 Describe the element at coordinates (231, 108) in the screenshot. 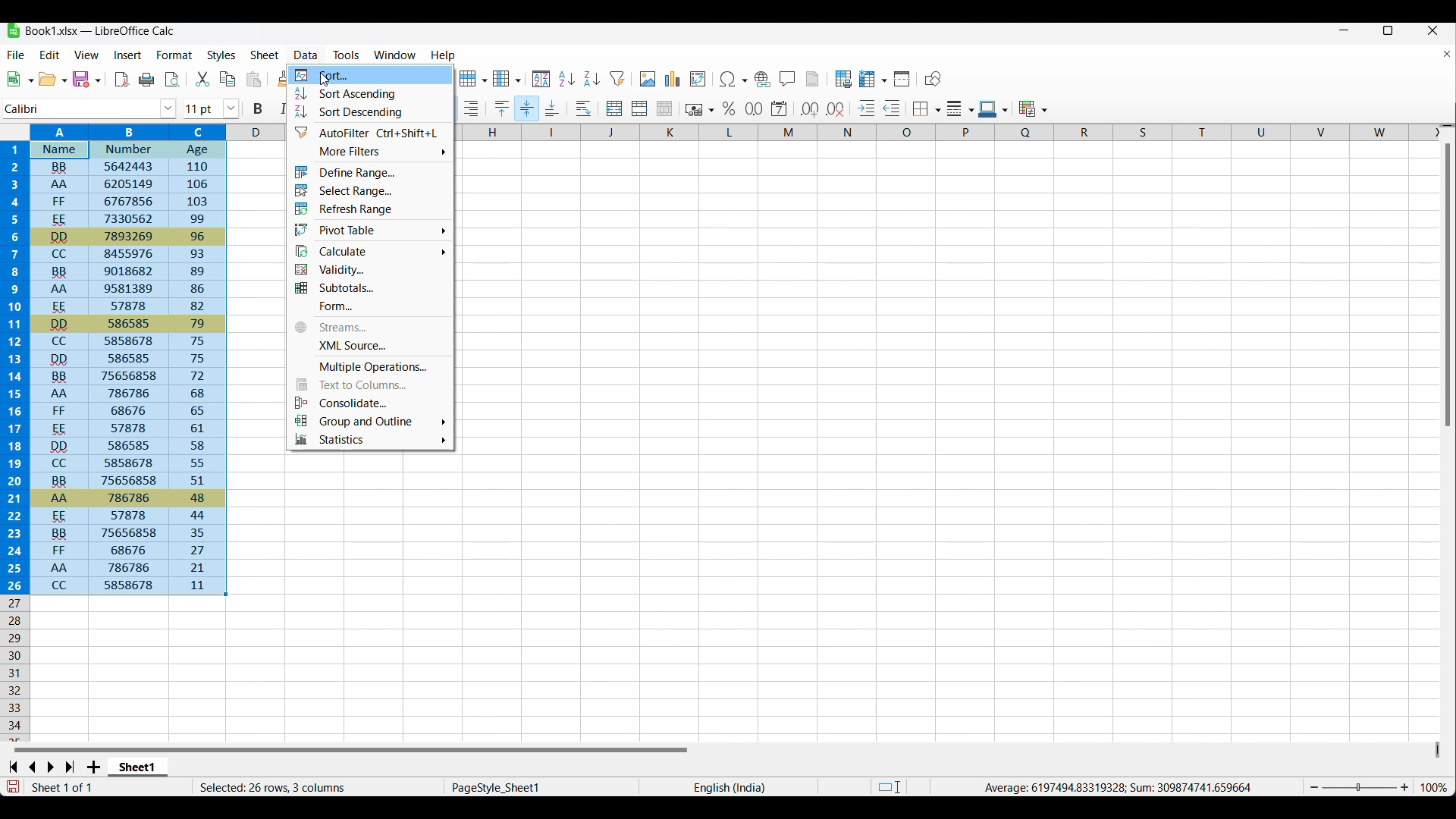

I see `Font size options` at that location.